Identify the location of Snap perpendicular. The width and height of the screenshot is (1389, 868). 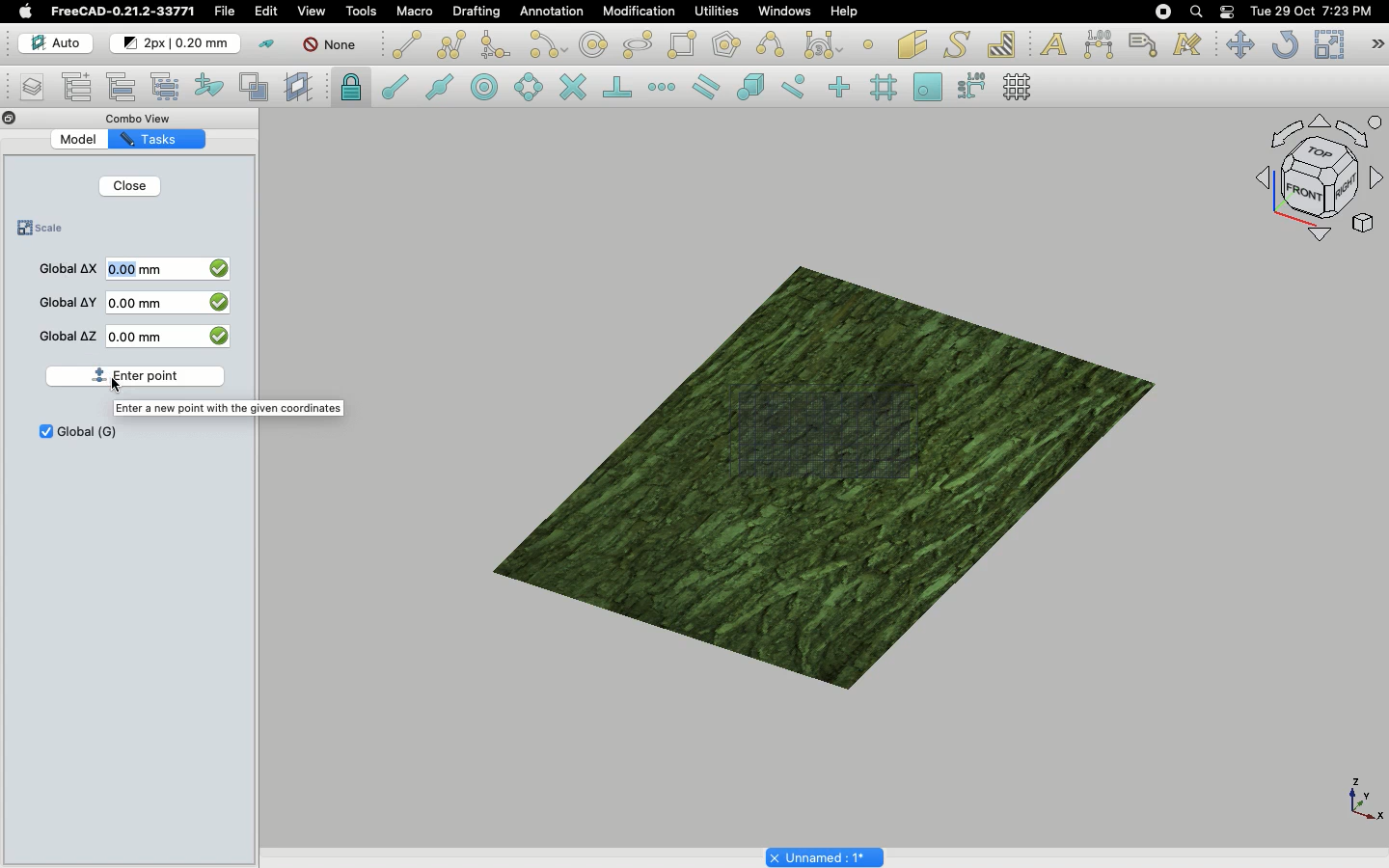
(614, 86).